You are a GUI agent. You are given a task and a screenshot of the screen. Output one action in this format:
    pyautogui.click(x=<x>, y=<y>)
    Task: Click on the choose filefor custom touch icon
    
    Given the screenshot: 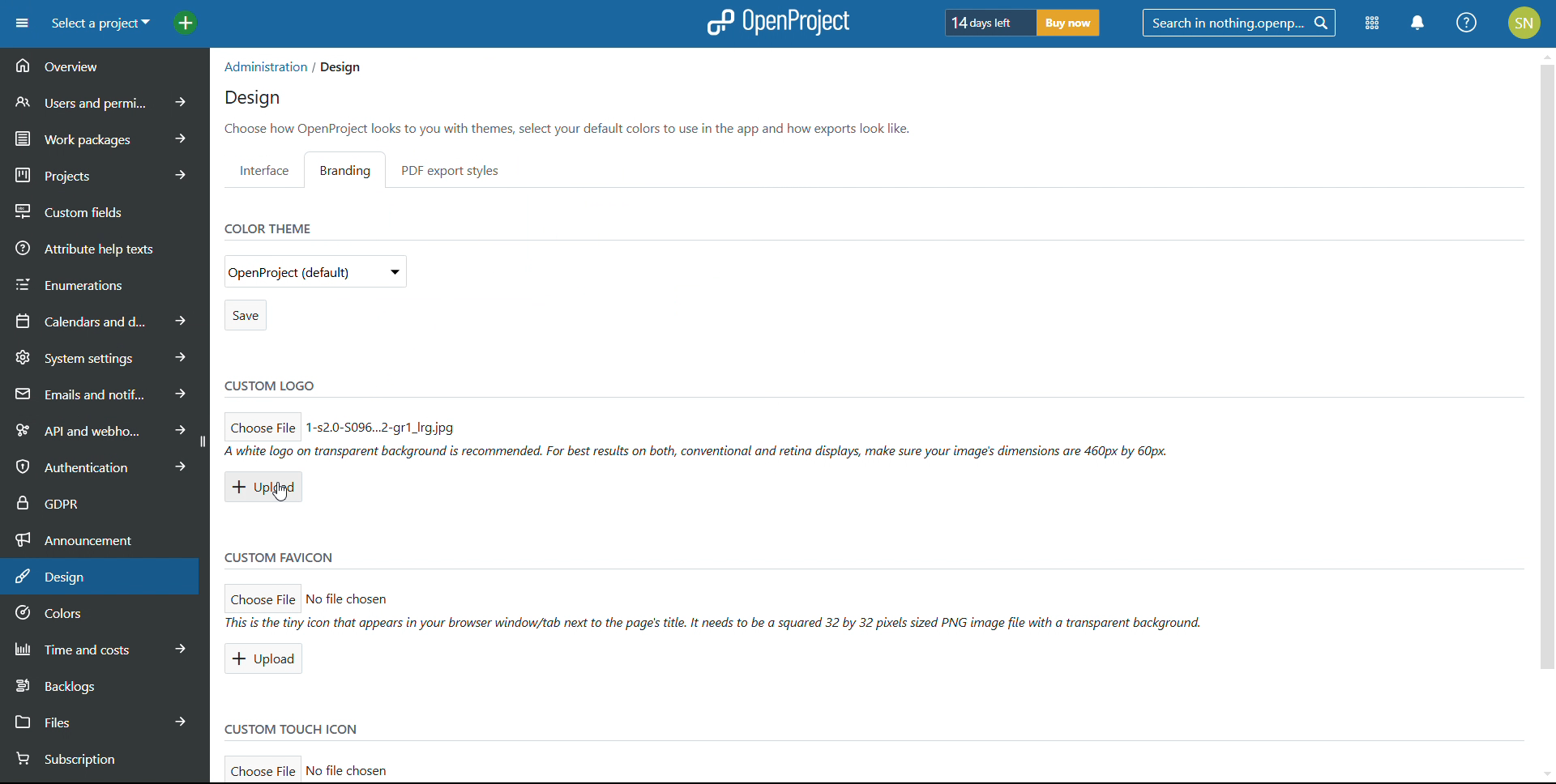 What is the action you would take?
    pyautogui.click(x=261, y=771)
    